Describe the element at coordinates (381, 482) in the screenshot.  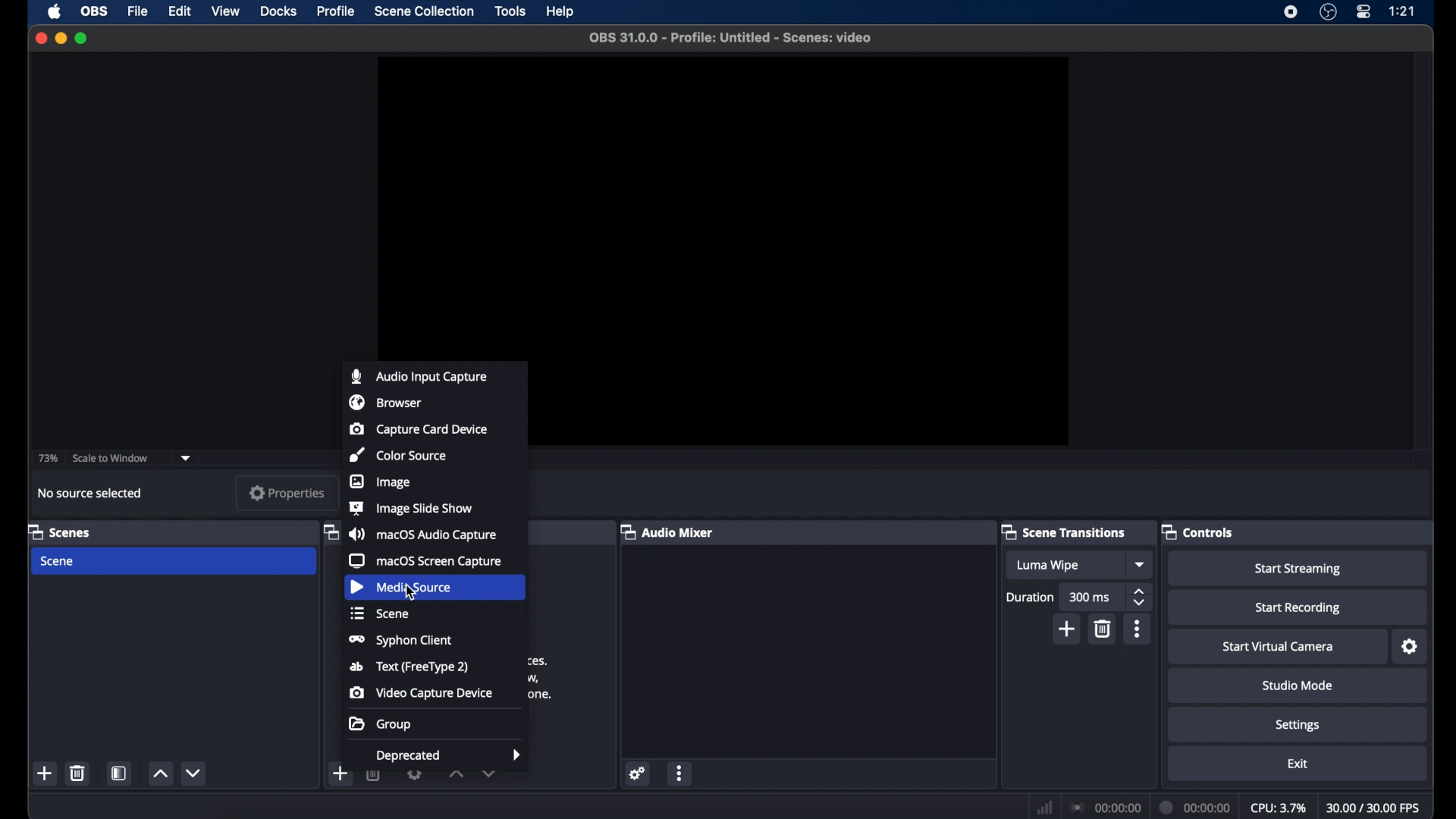
I see `image` at that location.